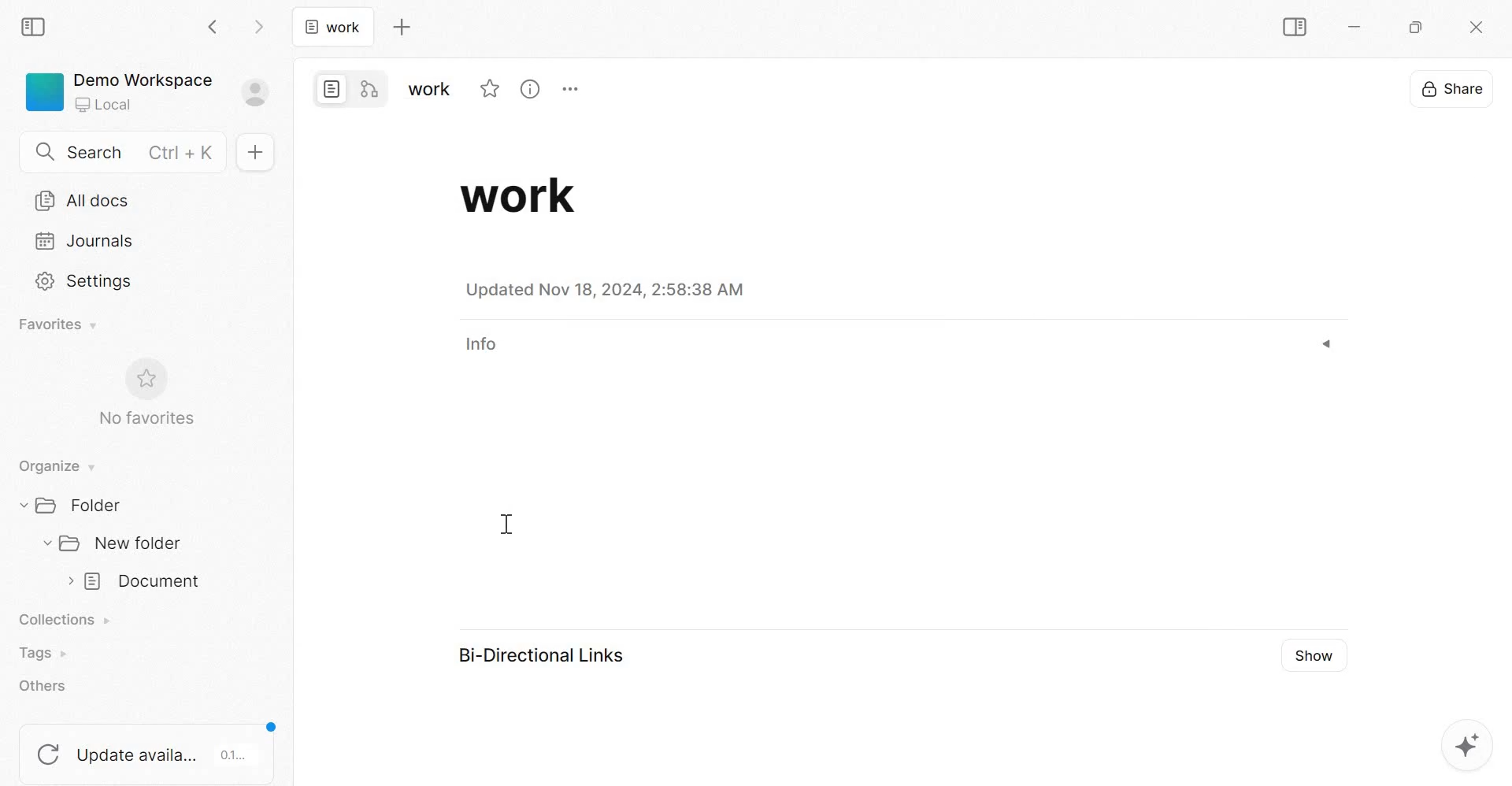 This screenshot has height=786, width=1512. Describe the element at coordinates (85, 240) in the screenshot. I see `Journals` at that location.